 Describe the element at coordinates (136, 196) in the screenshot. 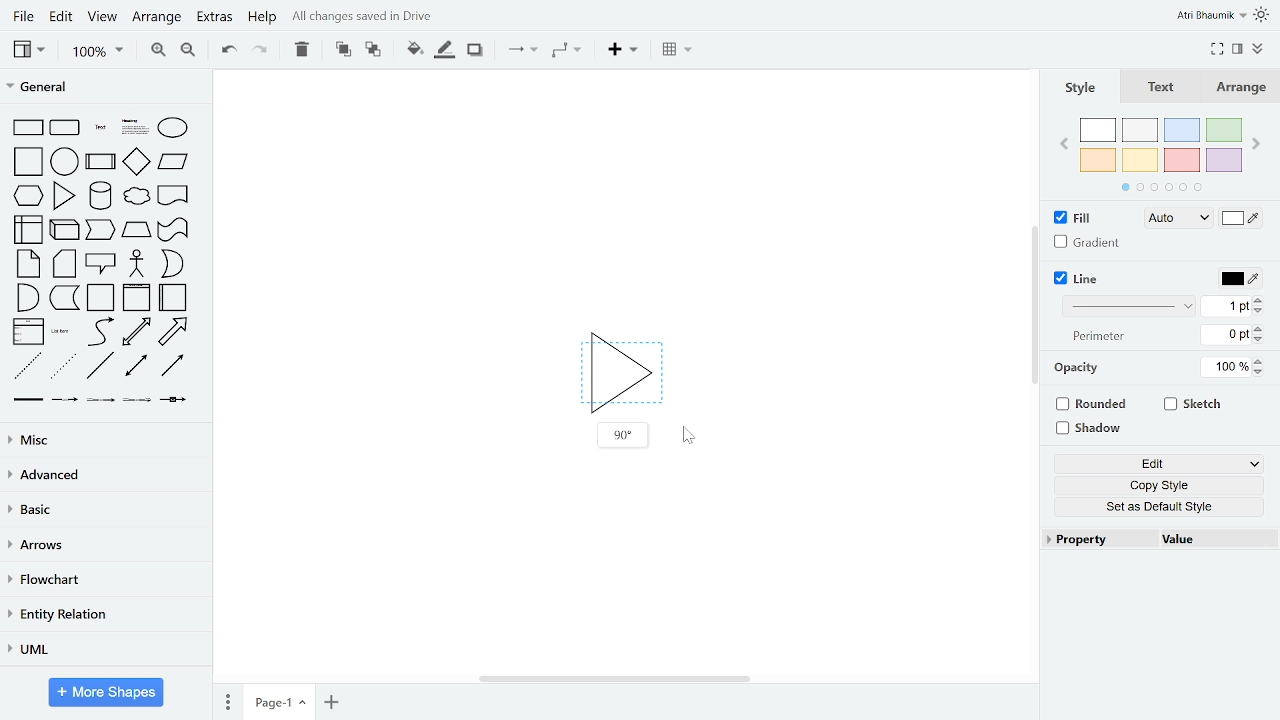

I see `cloud` at that location.